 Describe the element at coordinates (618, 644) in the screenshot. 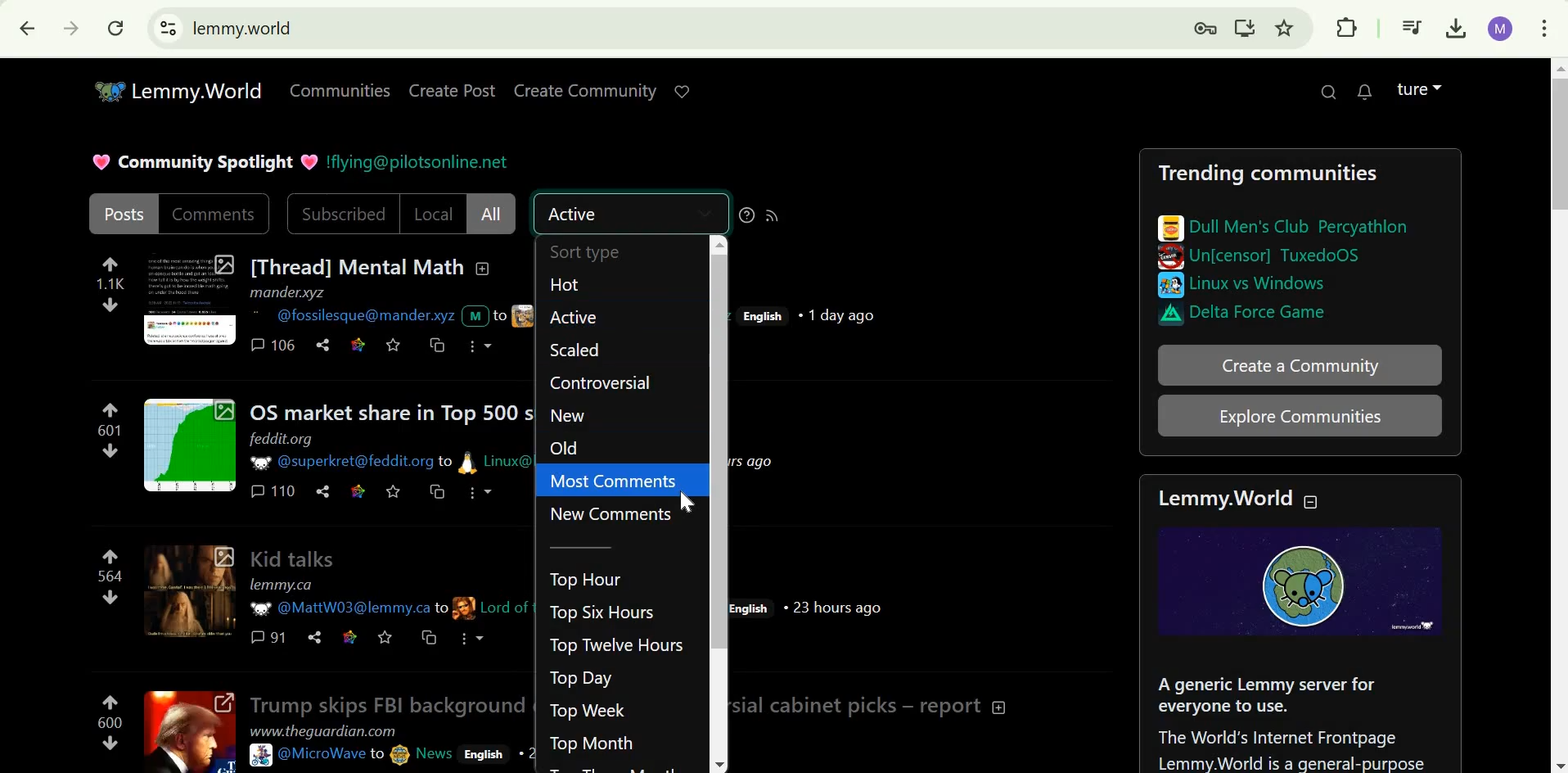

I see `Top Twelve hours` at that location.